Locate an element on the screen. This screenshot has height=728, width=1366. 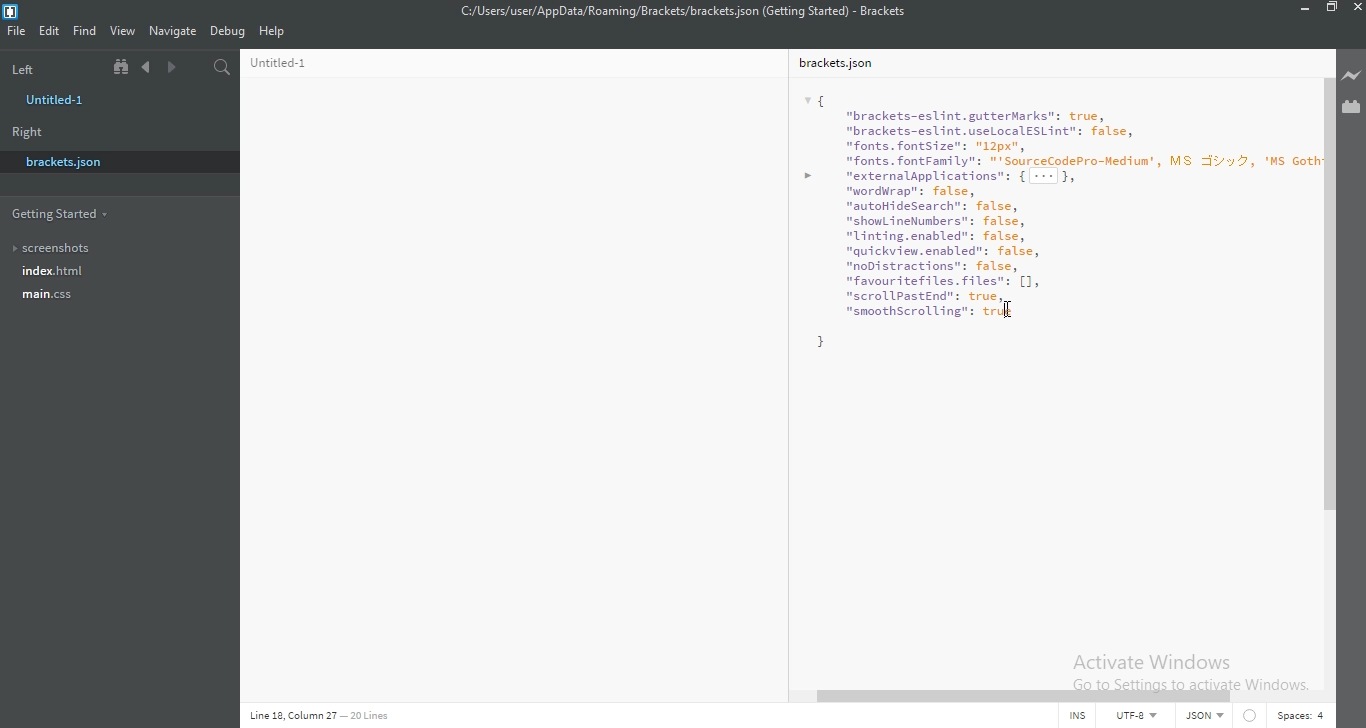
Debug is located at coordinates (229, 30).